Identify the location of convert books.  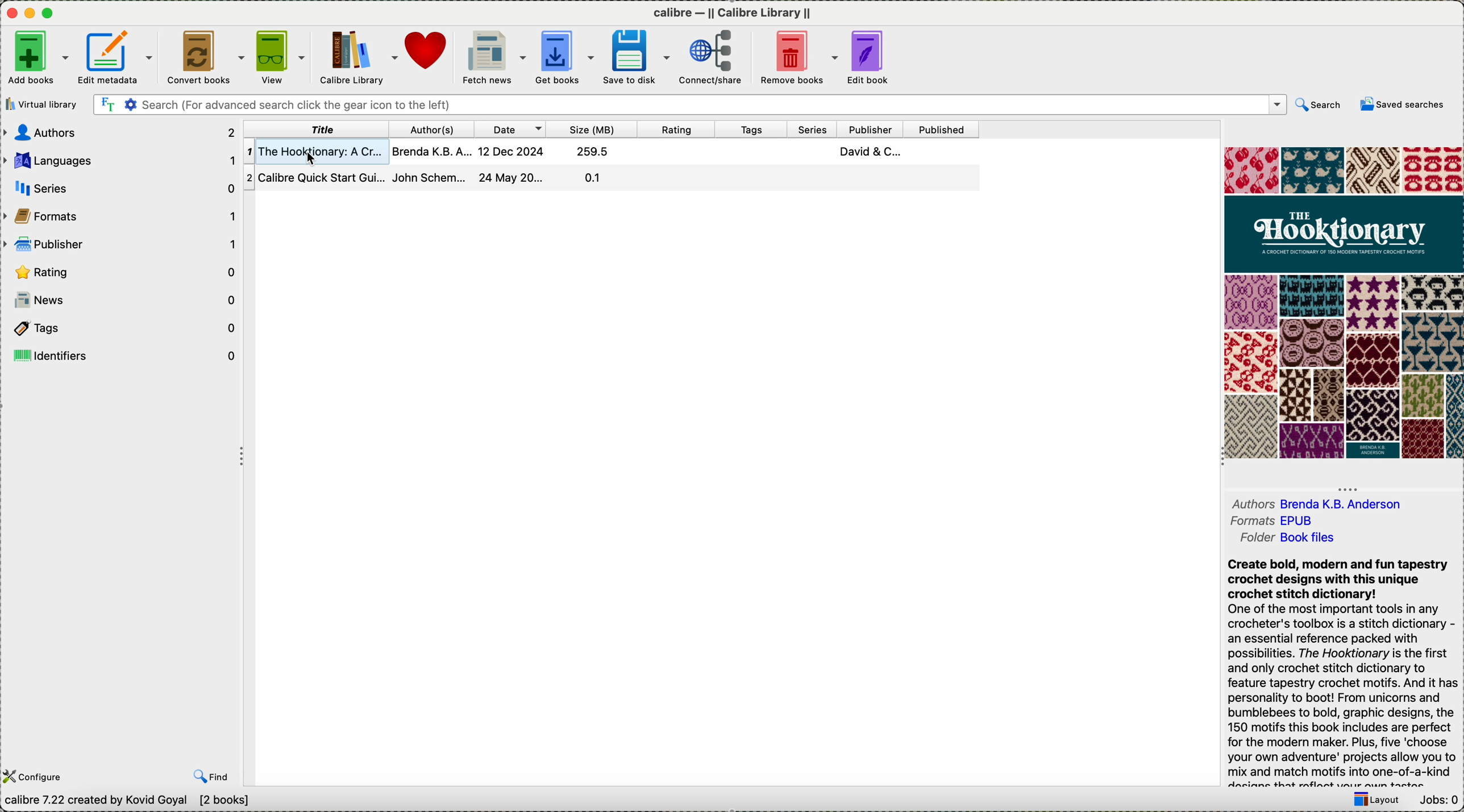
(203, 56).